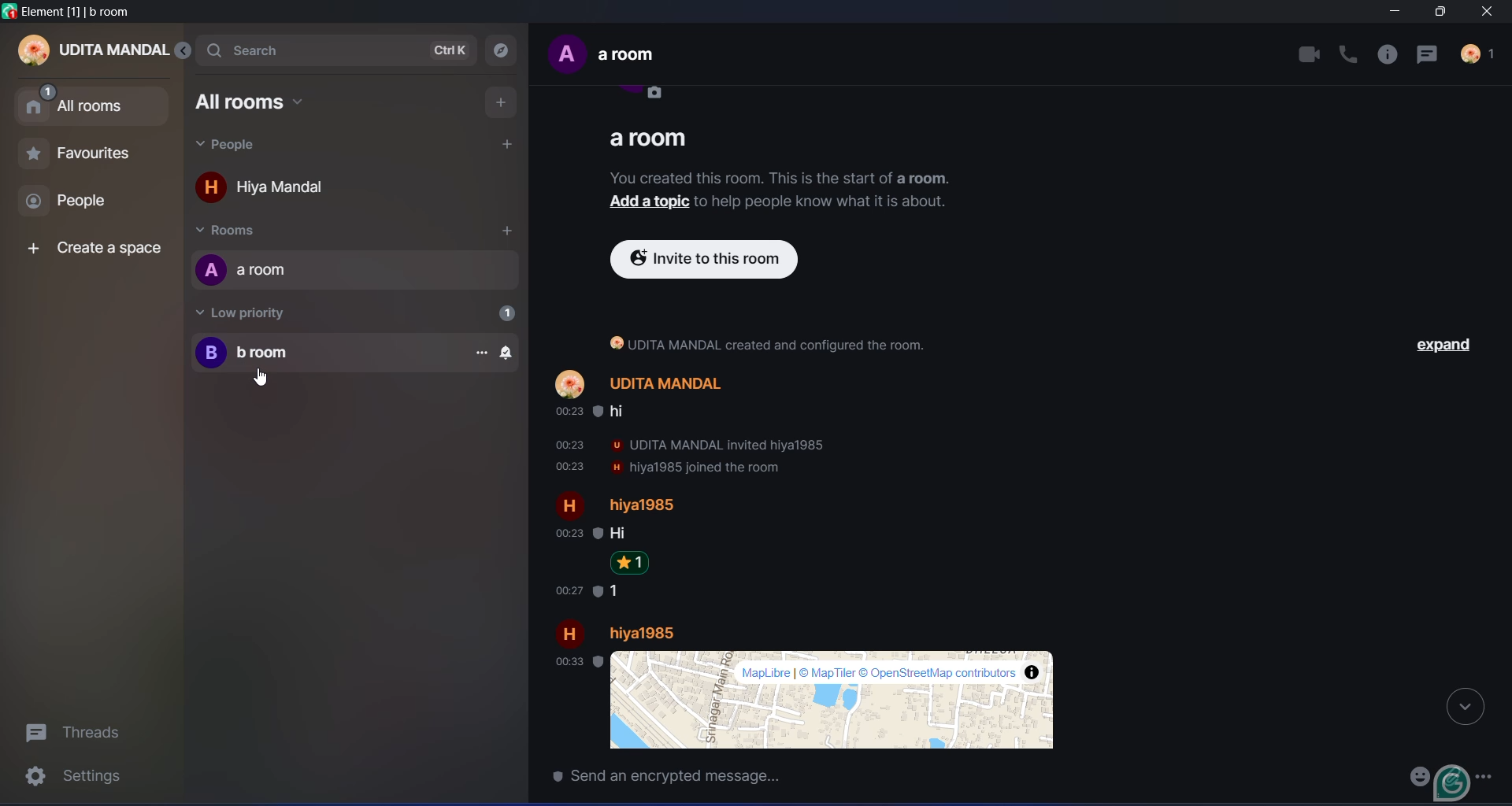 The height and width of the screenshot is (806, 1512). Describe the element at coordinates (651, 136) in the screenshot. I see `aroom` at that location.